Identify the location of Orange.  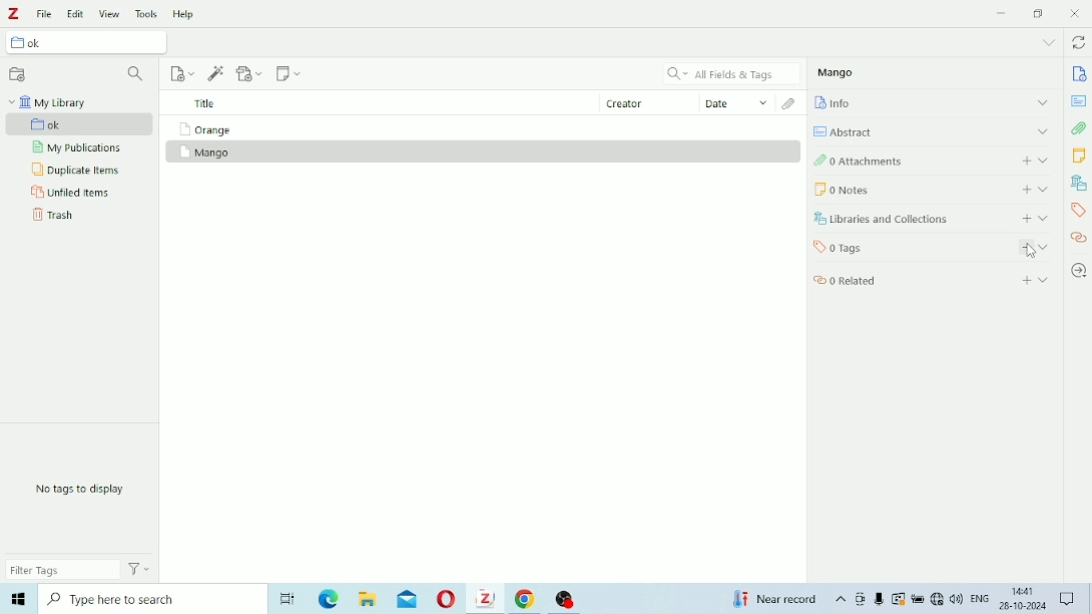
(203, 129).